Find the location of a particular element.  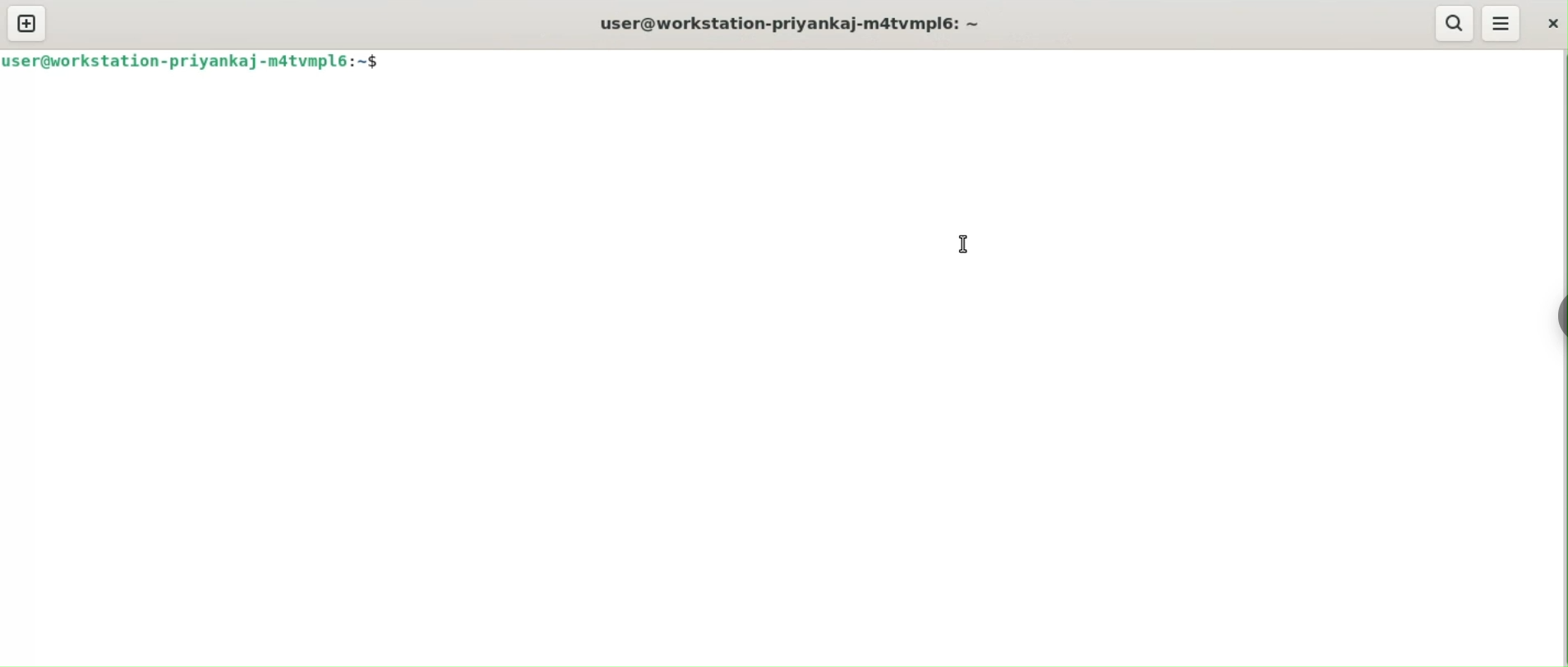

close is located at coordinates (1552, 24).